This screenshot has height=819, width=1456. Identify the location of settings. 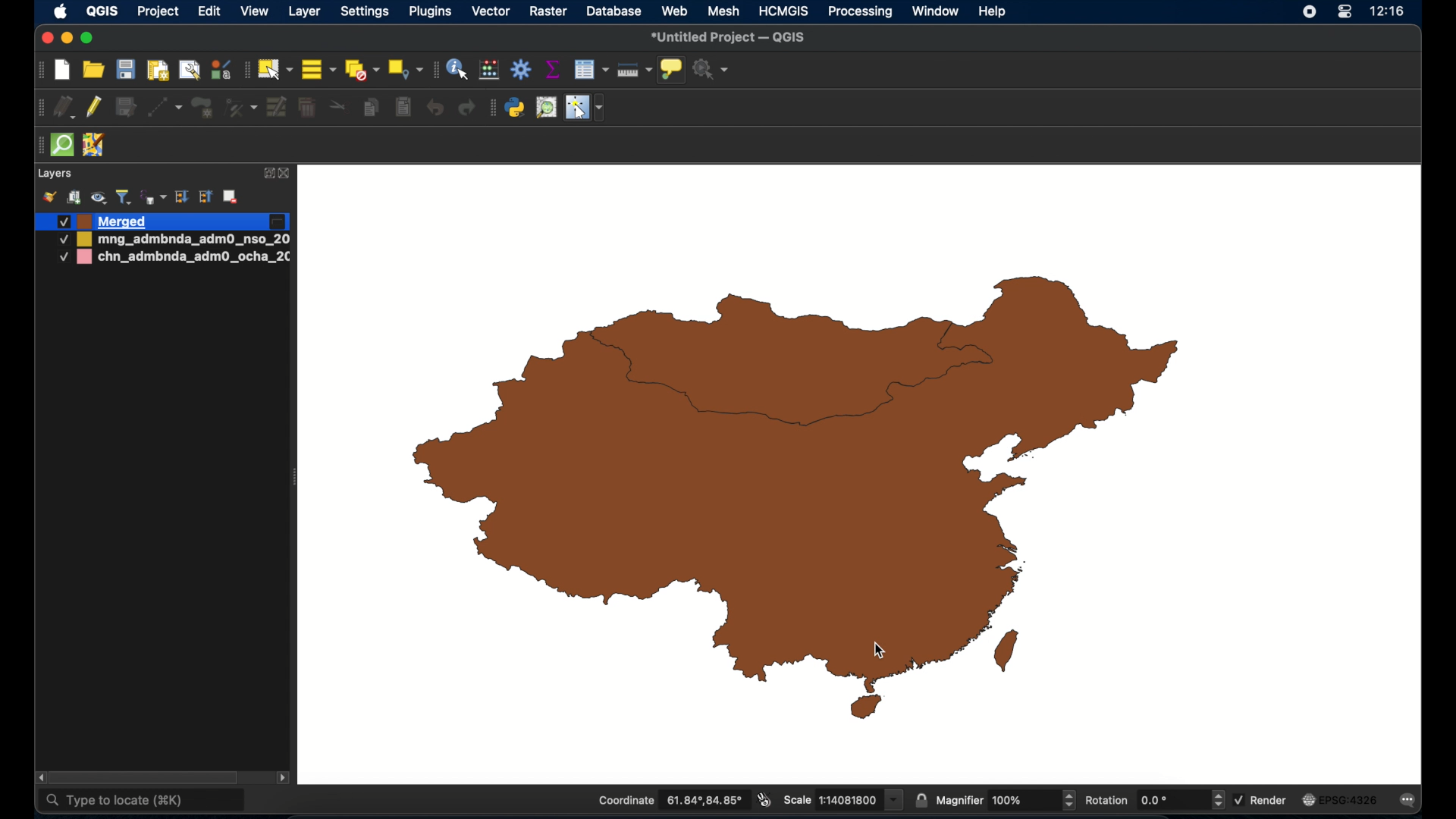
(366, 13).